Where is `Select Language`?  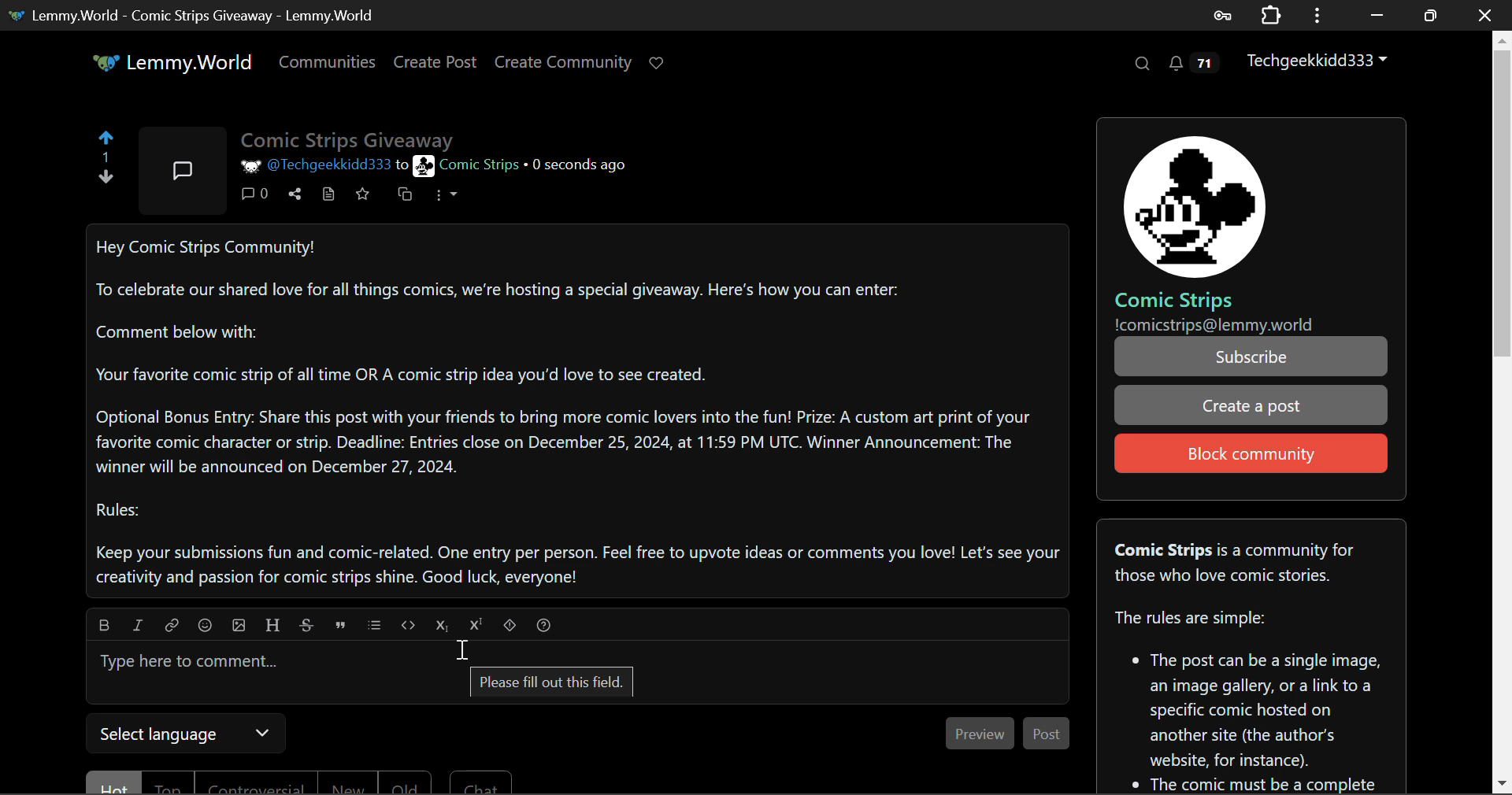 Select Language is located at coordinates (189, 735).